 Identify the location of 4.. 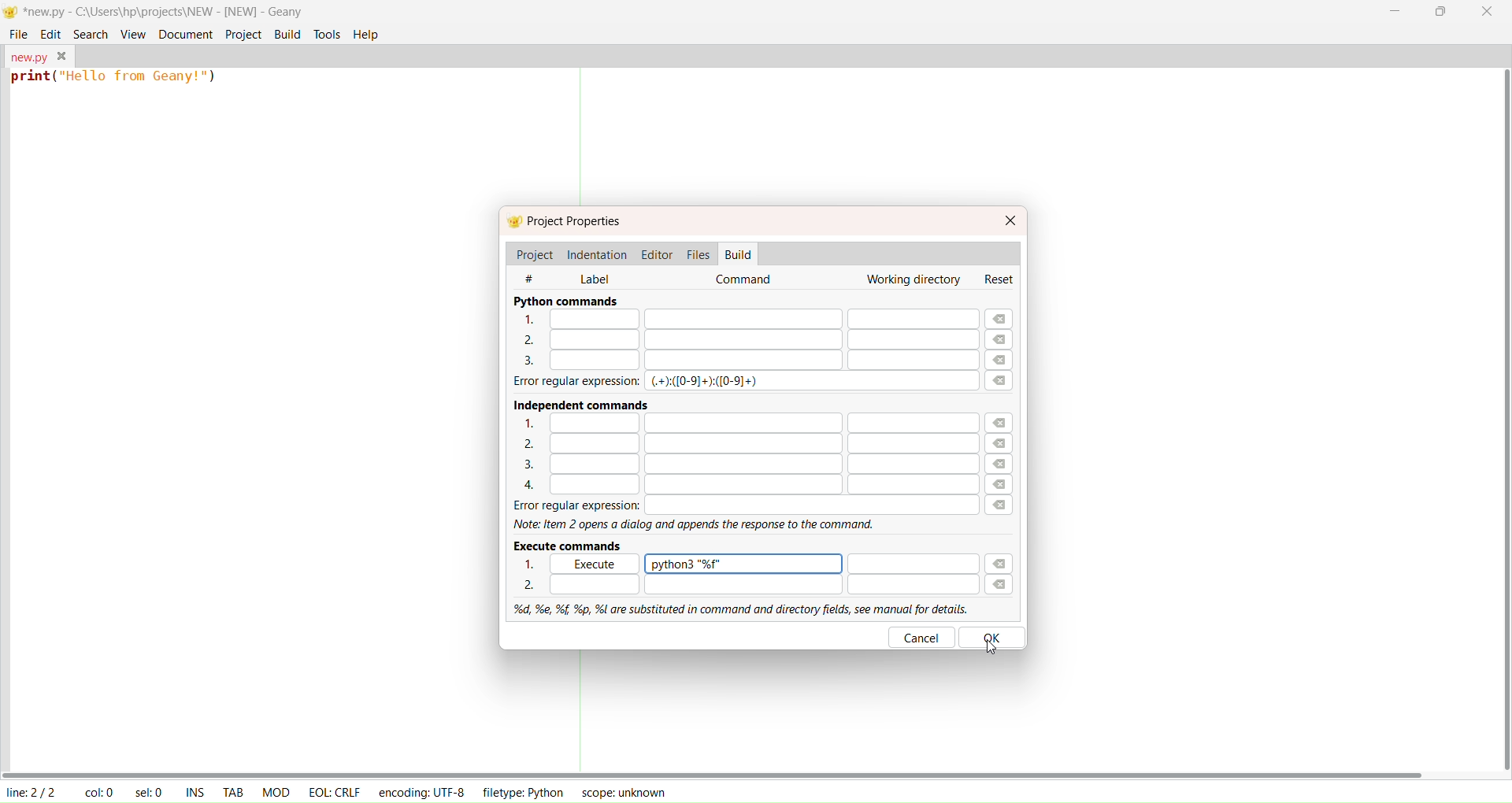
(738, 486).